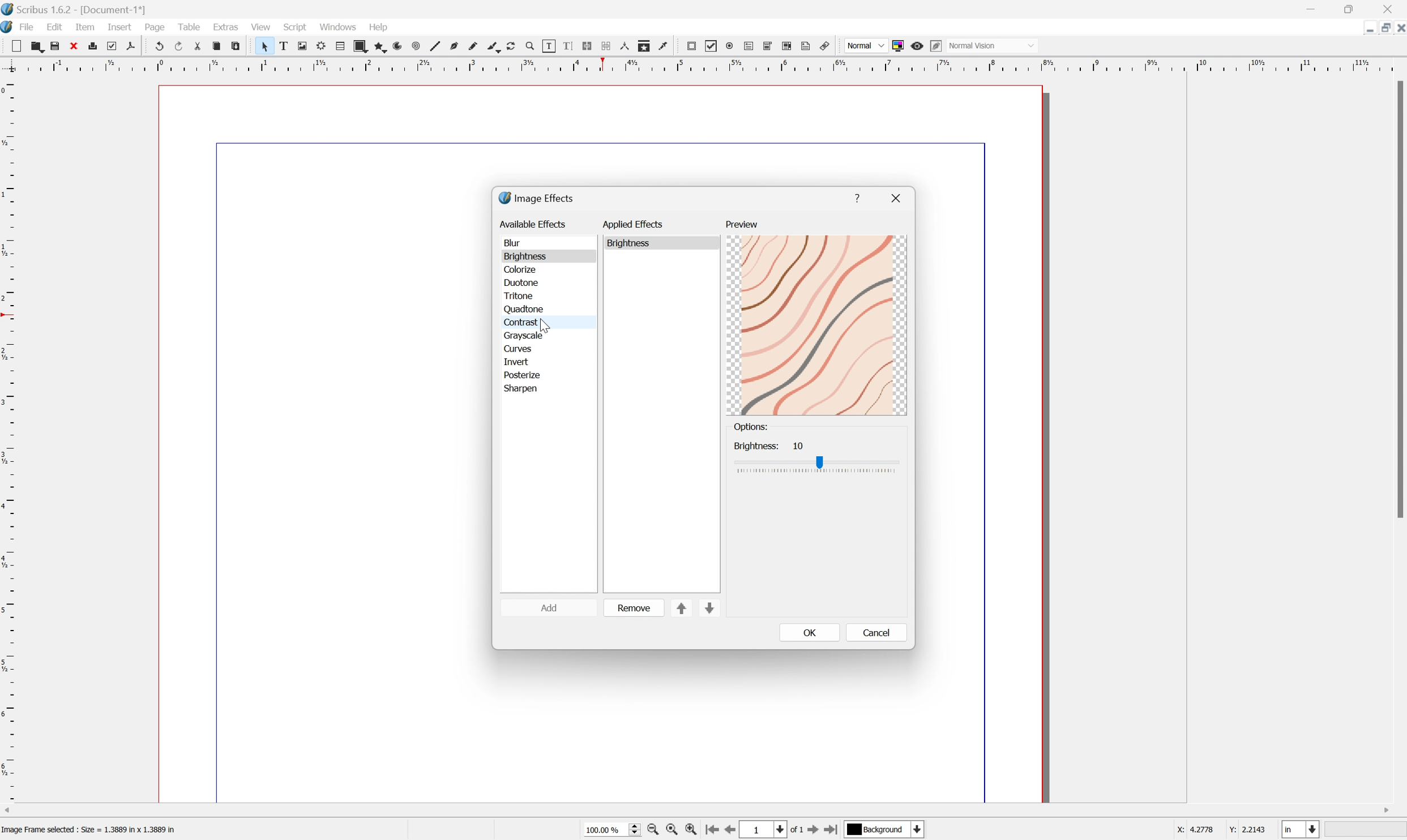 This screenshot has height=840, width=1407. What do you see at coordinates (281, 46) in the screenshot?
I see `Text frame` at bounding box center [281, 46].